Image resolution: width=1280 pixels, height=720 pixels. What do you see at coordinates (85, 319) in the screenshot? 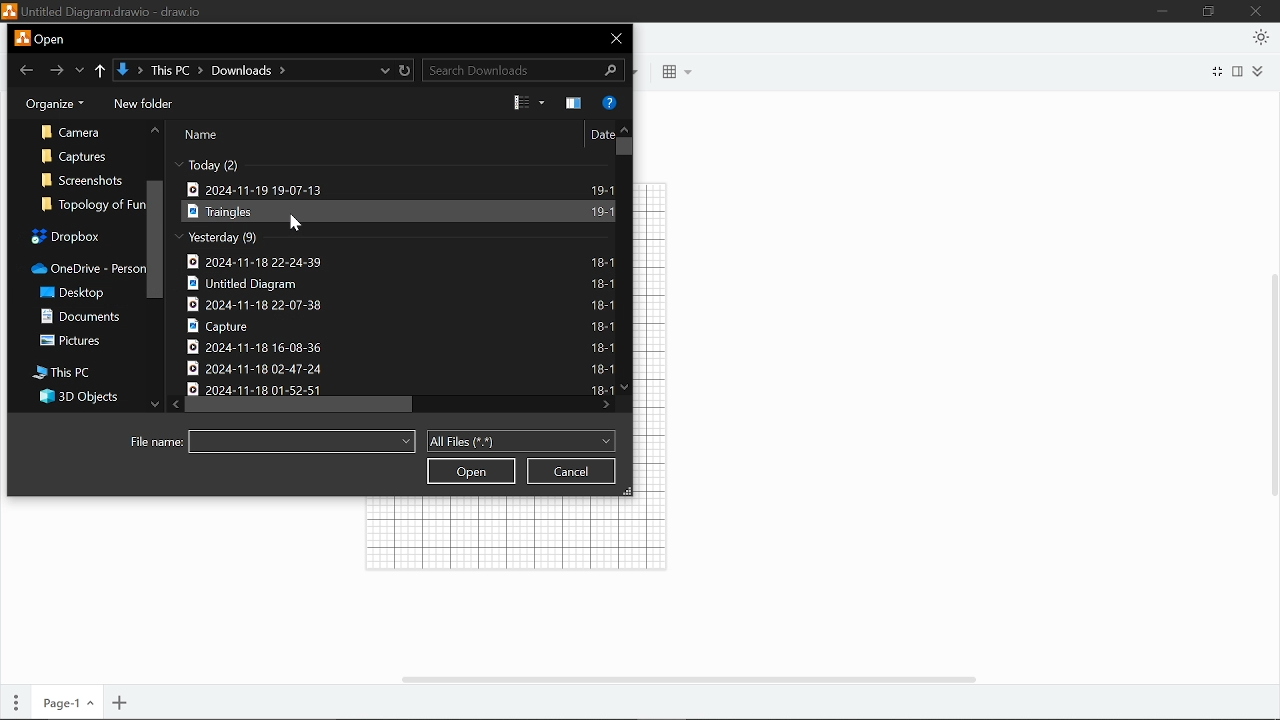
I see `Documents` at bounding box center [85, 319].